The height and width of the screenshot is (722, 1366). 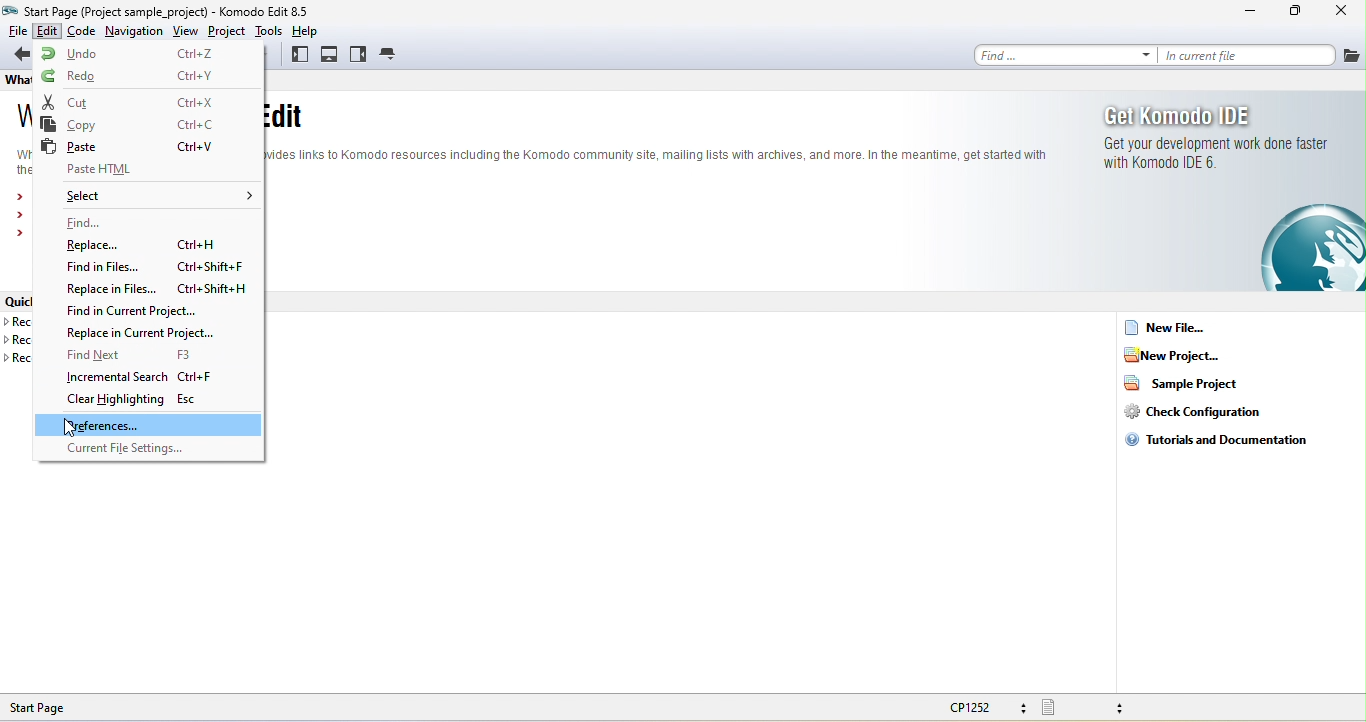 I want to click on back, so click(x=18, y=54).